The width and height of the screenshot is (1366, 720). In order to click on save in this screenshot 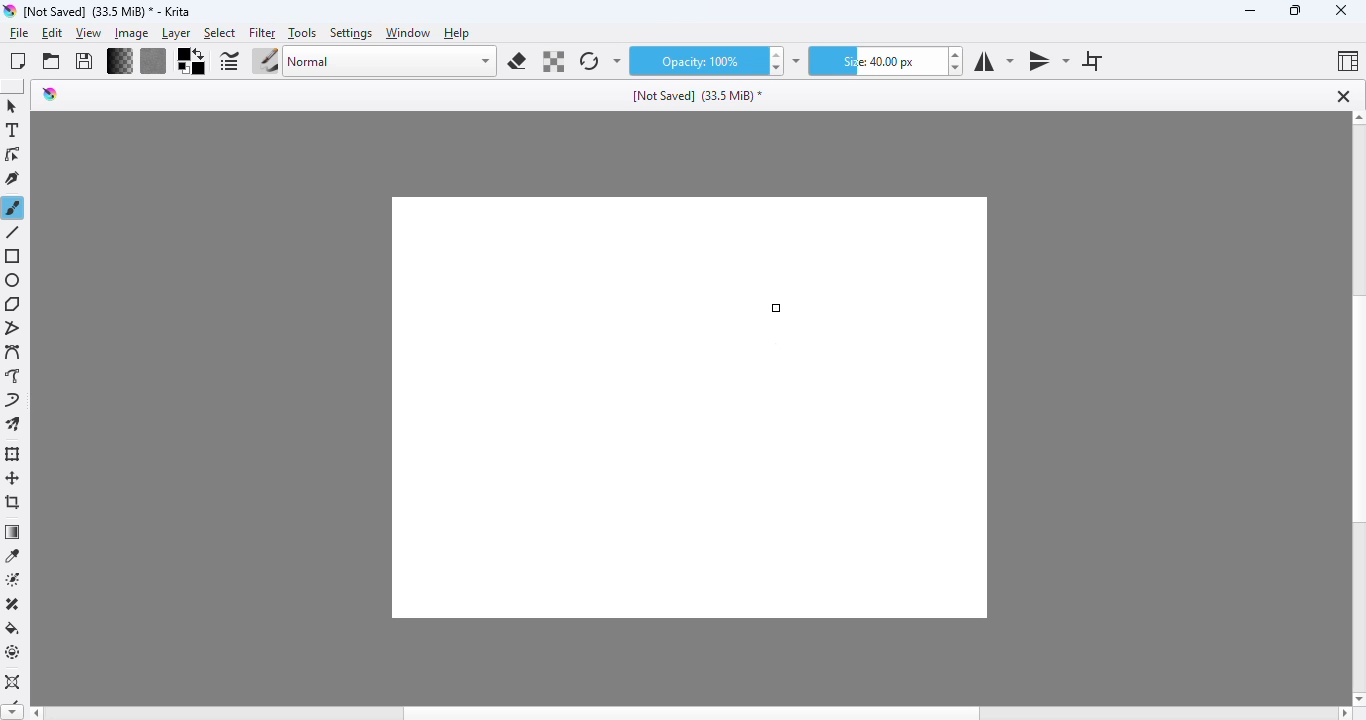, I will do `click(84, 61)`.